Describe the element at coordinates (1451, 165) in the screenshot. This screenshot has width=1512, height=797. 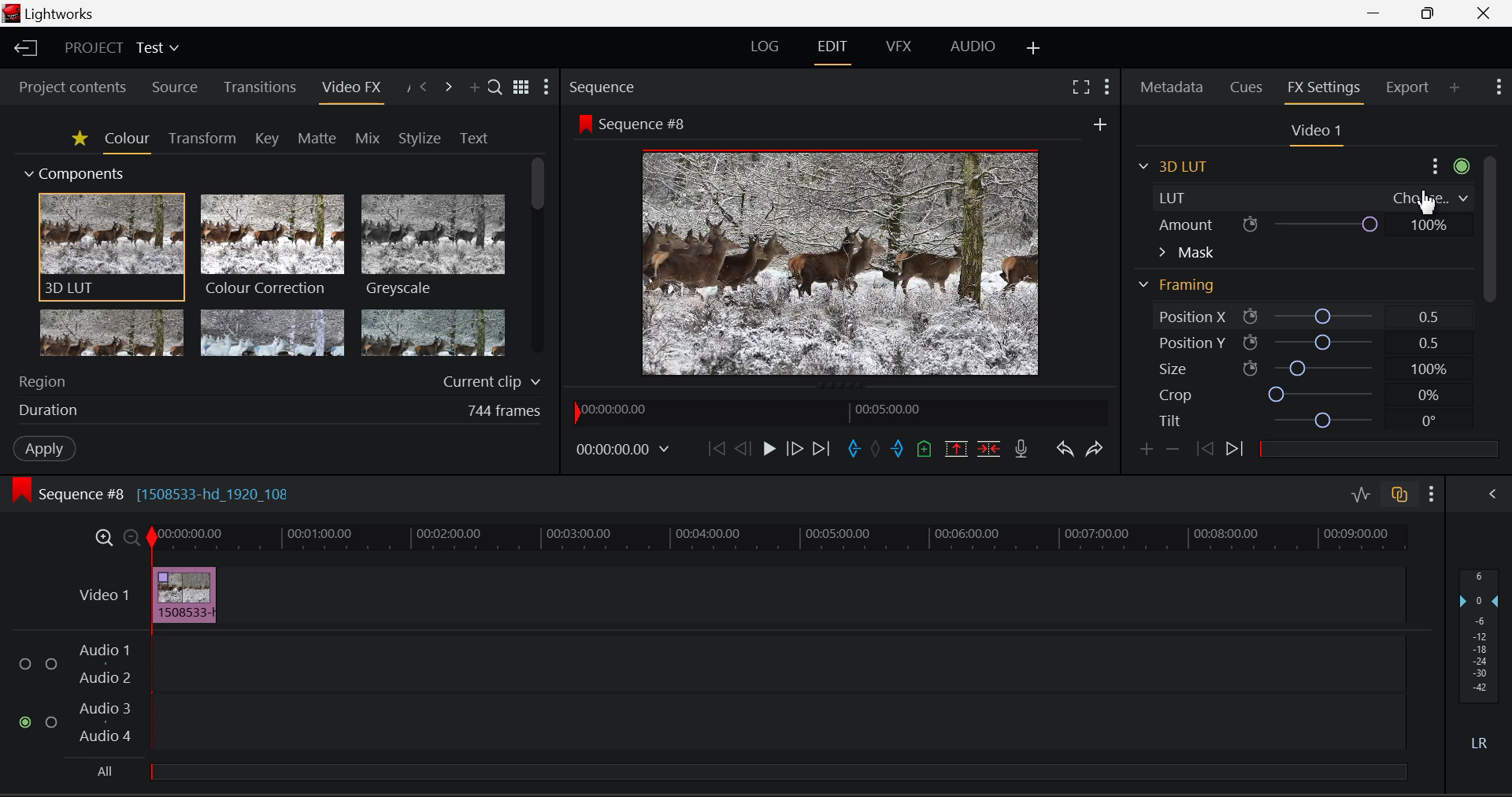
I see `Settings` at that location.